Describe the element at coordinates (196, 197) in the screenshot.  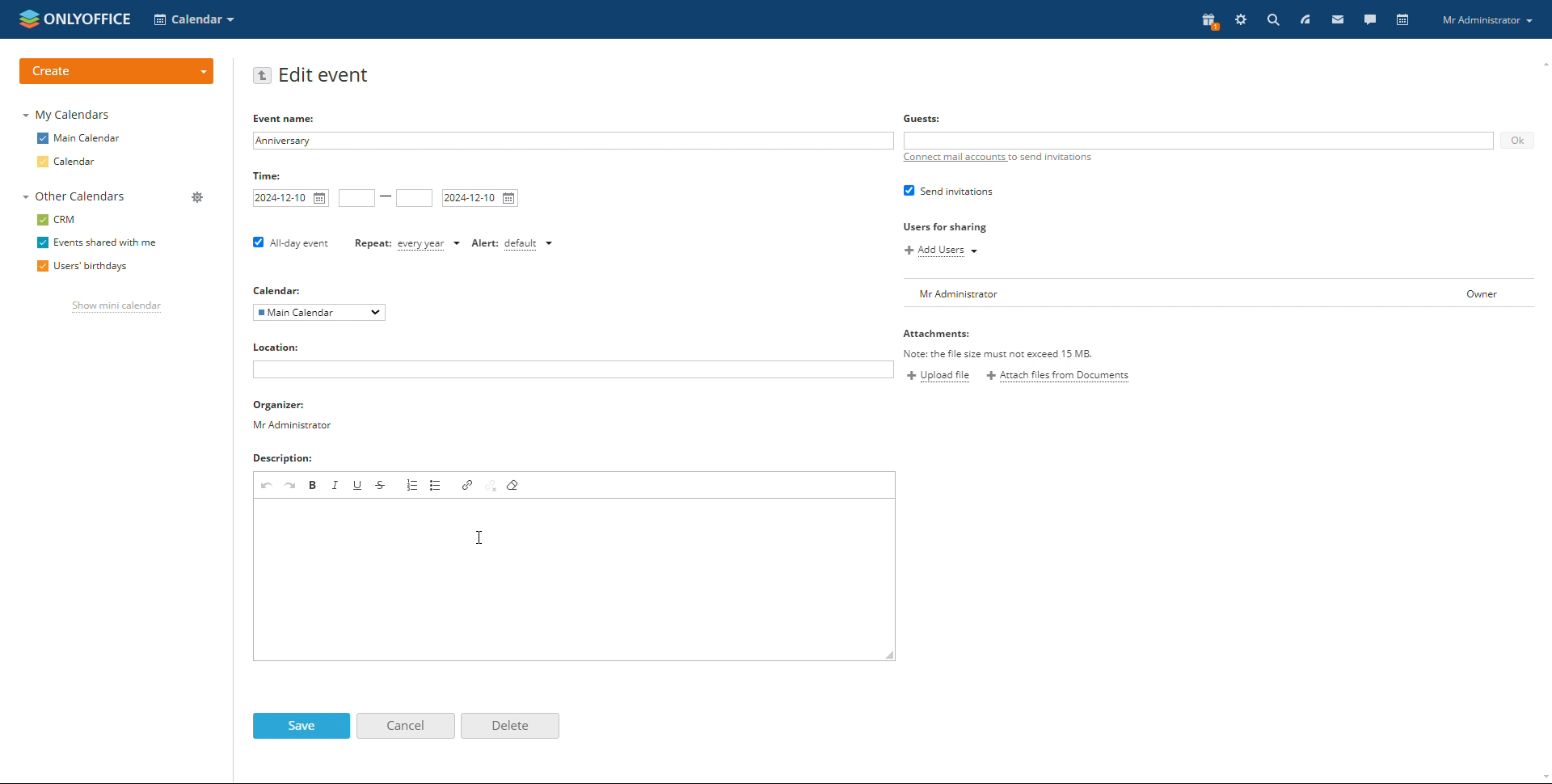
I see `manage` at that location.